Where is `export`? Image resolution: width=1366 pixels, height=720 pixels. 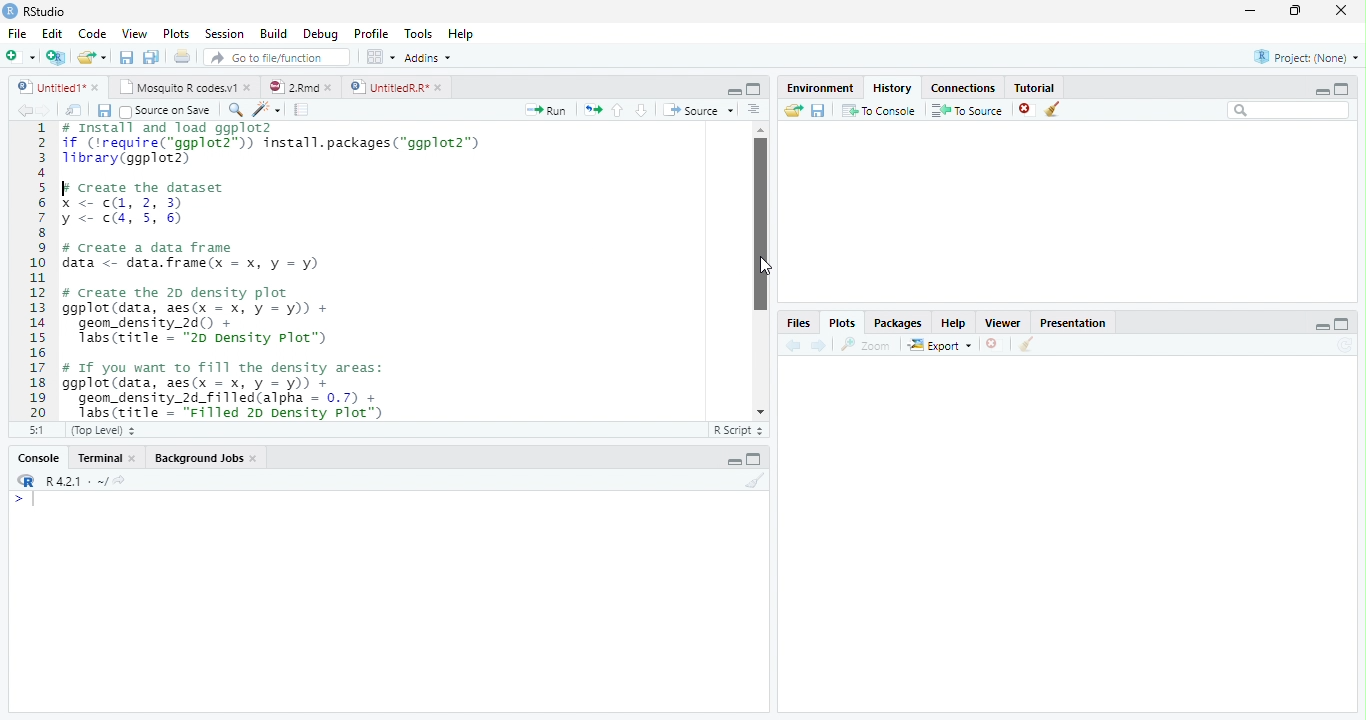
export is located at coordinates (939, 346).